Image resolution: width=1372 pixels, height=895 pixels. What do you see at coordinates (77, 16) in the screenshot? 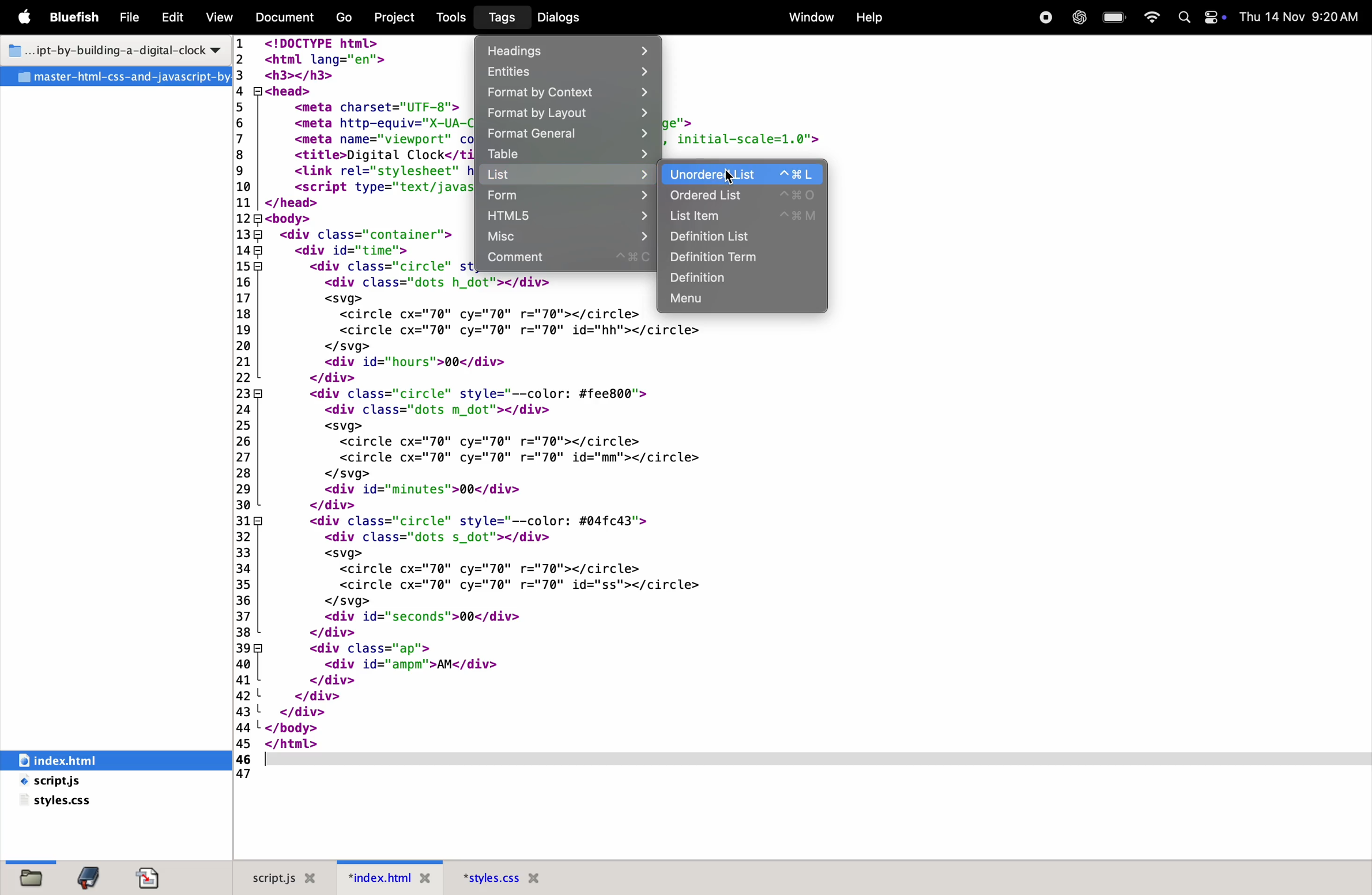
I see `BLuefish` at bounding box center [77, 16].